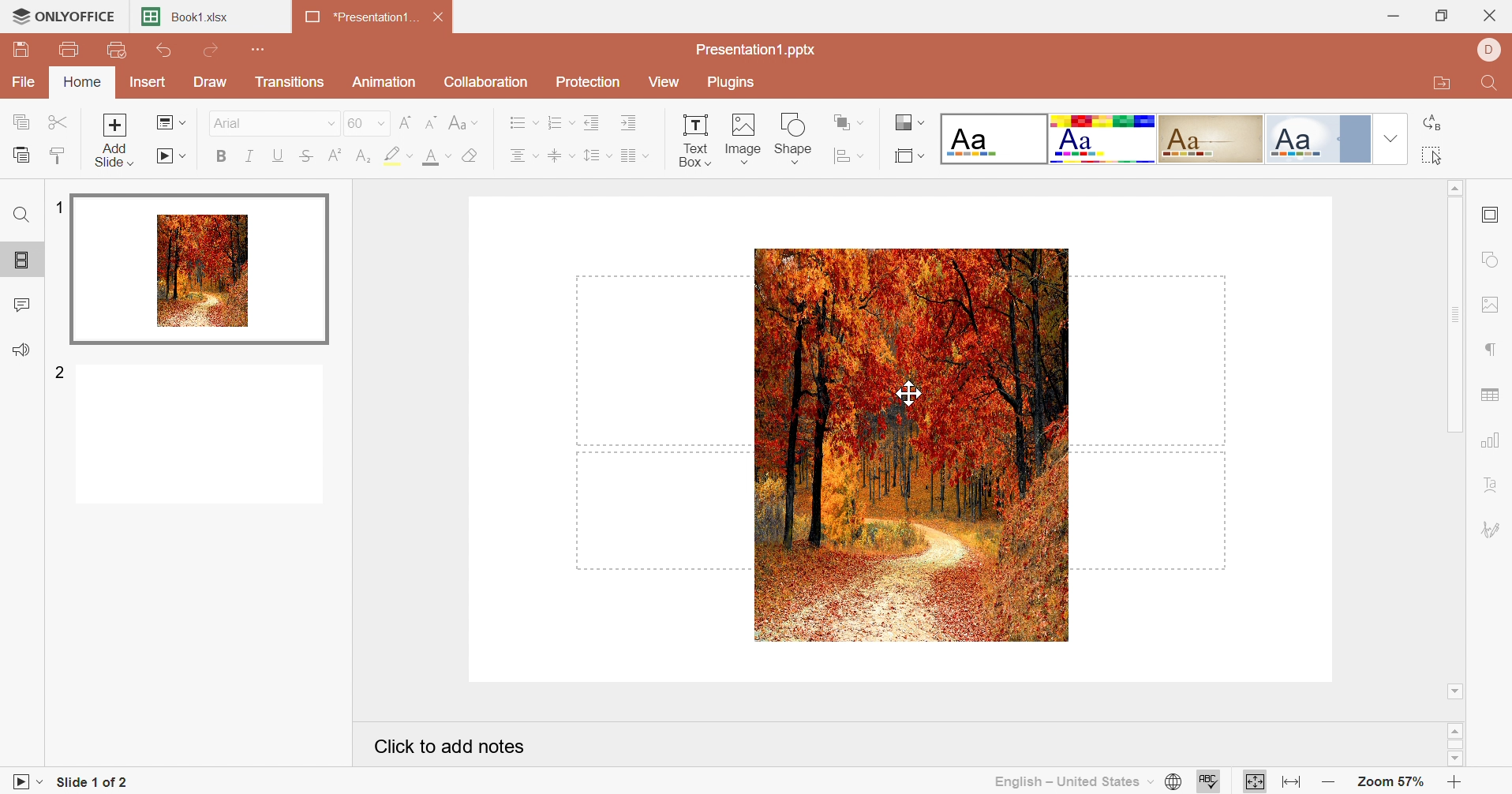 The image size is (1512, 794). I want to click on Shape settings, so click(1492, 259).